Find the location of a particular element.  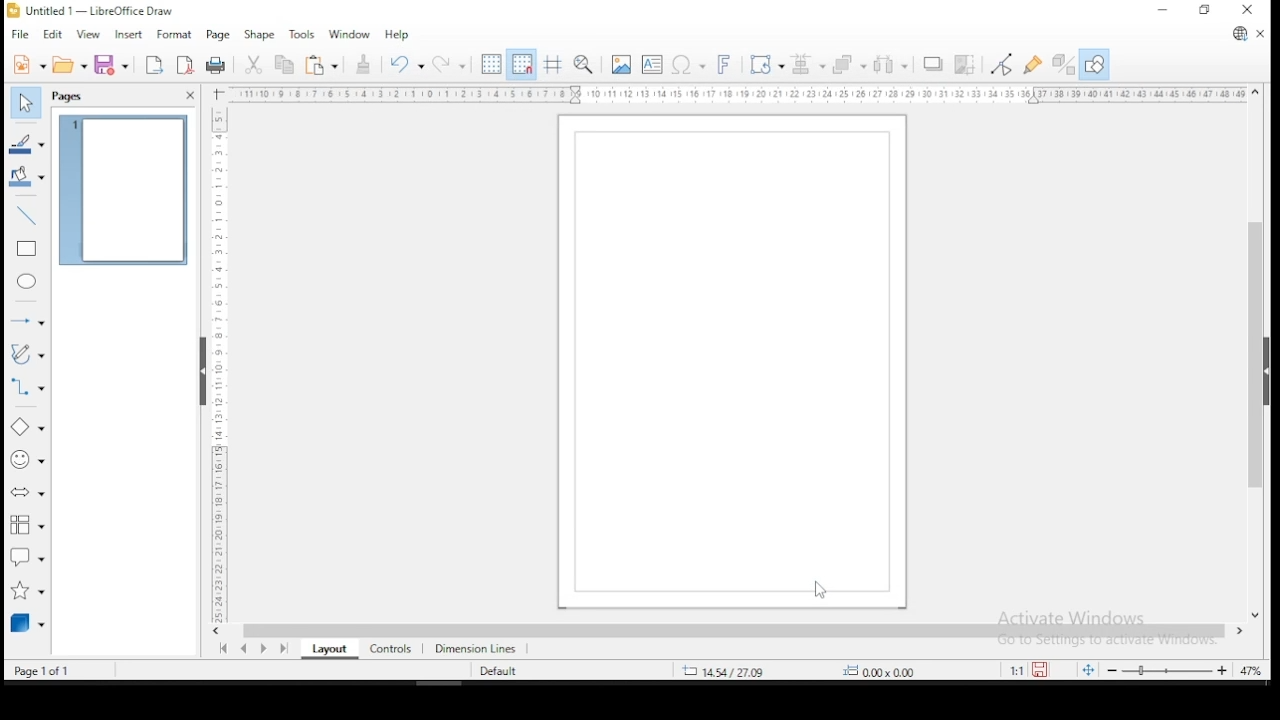

fit document to window is located at coordinates (1090, 669).